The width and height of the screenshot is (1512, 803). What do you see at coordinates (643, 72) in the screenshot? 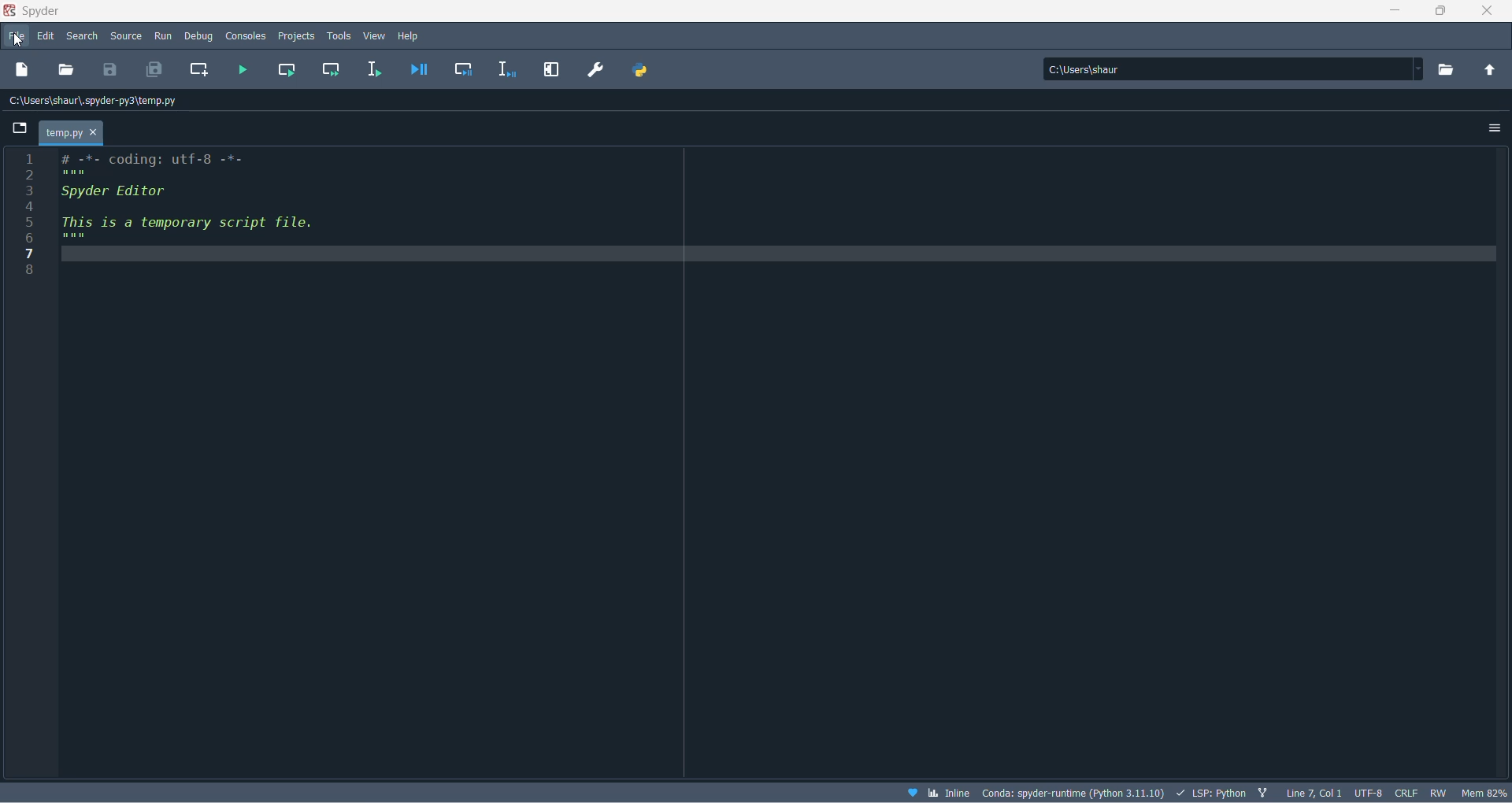
I see `PYTHONPATH MANAGER` at bounding box center [643, 72].